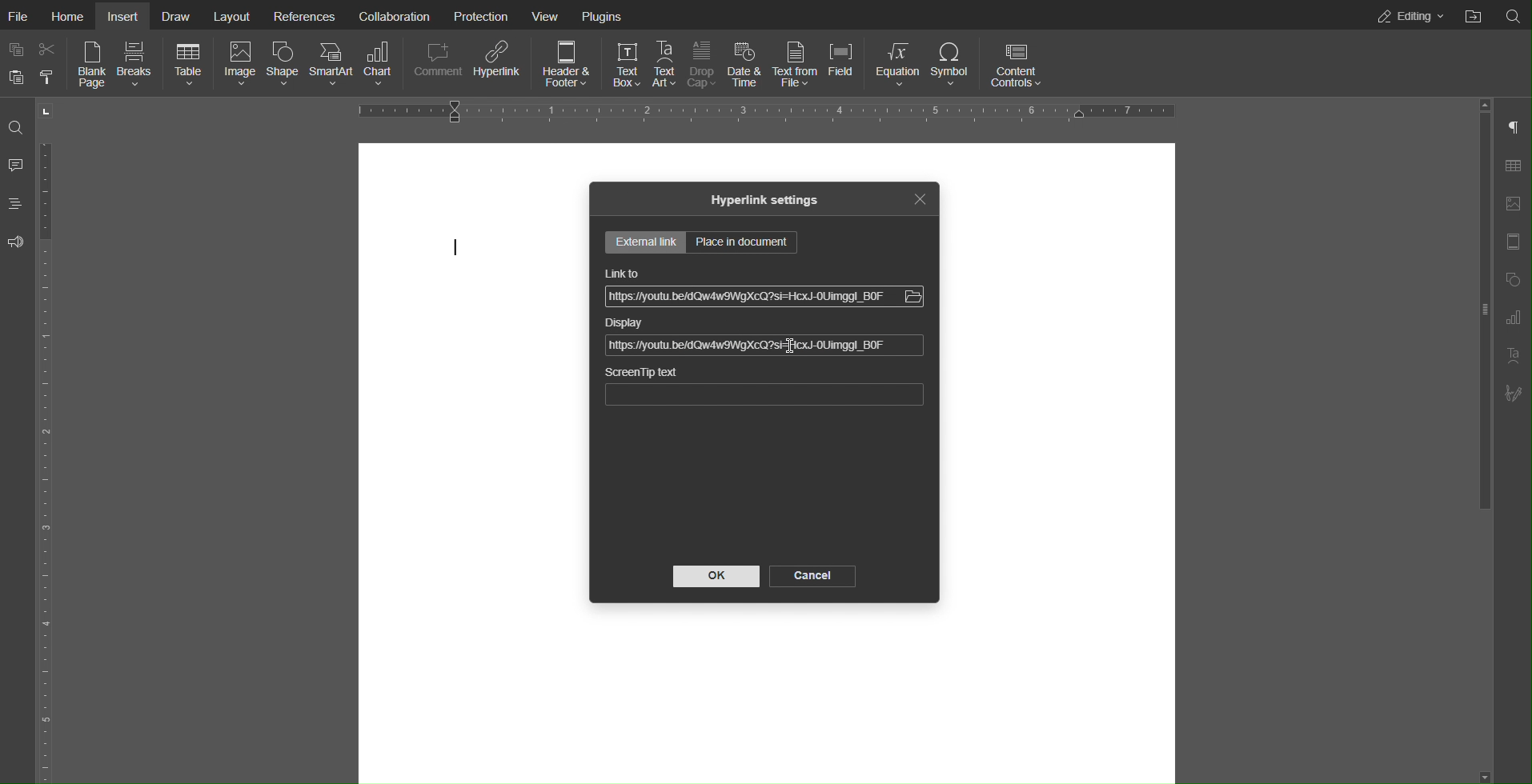 The height and width of the screenshot is (784, 1532). What do you see at coordinates (190, 65) in the screenshot?
I see `Table` at bounding box center [190, 65].